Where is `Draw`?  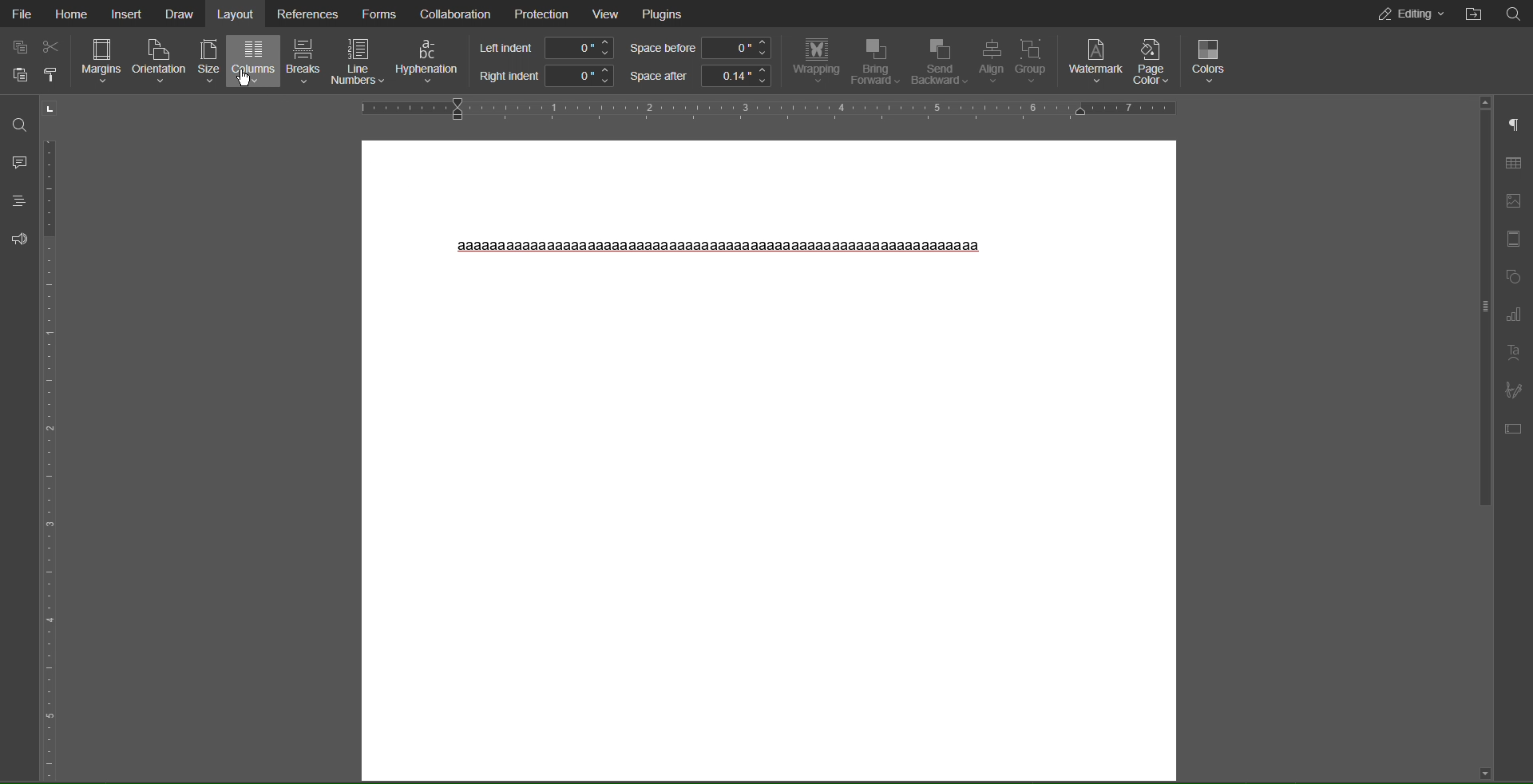
Draw is located at coordinates (181, 14).